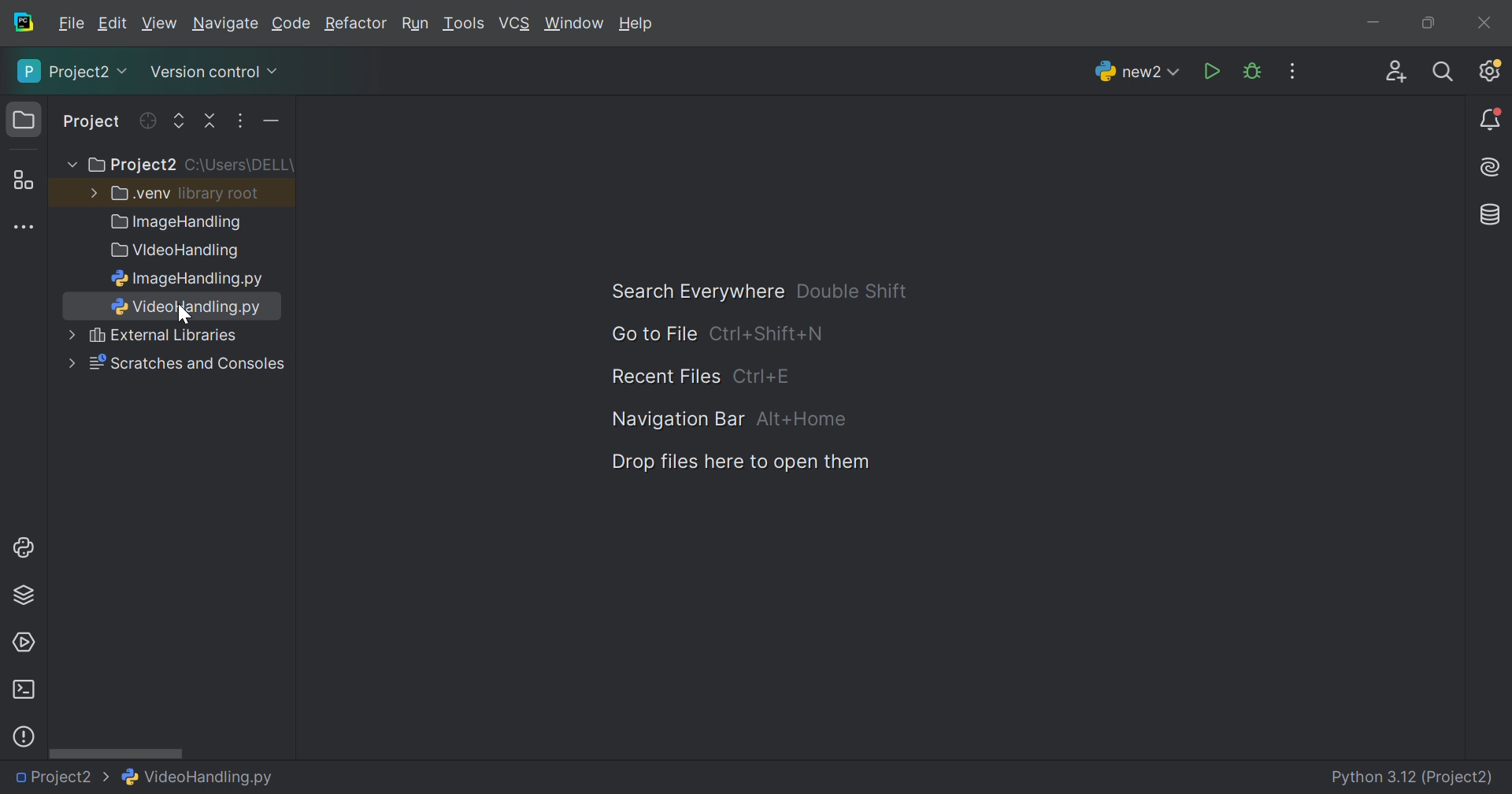  I want to click on More, so click(69, 165).